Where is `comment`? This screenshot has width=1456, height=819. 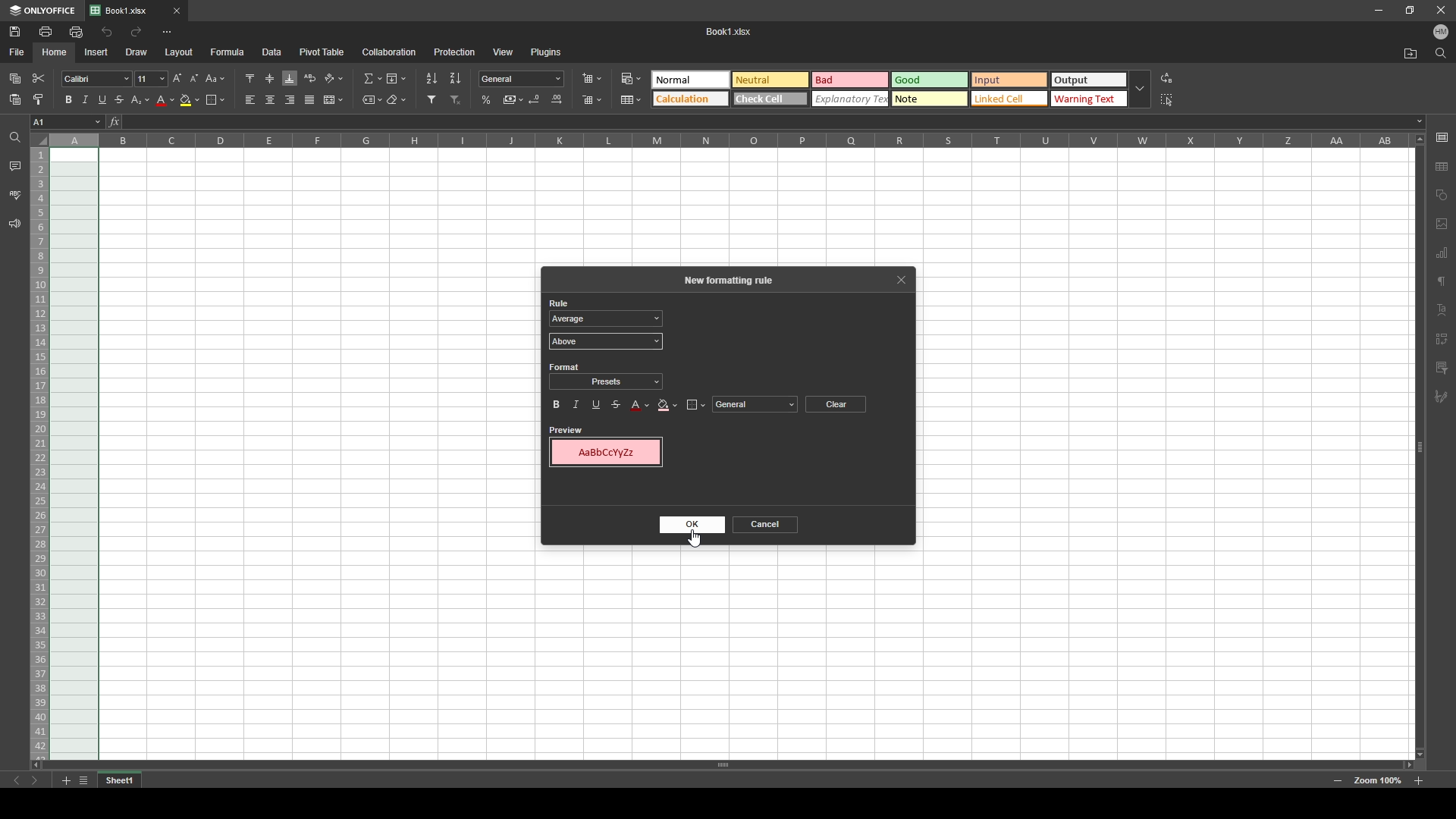 comment is located at coordinates (1442, 366).